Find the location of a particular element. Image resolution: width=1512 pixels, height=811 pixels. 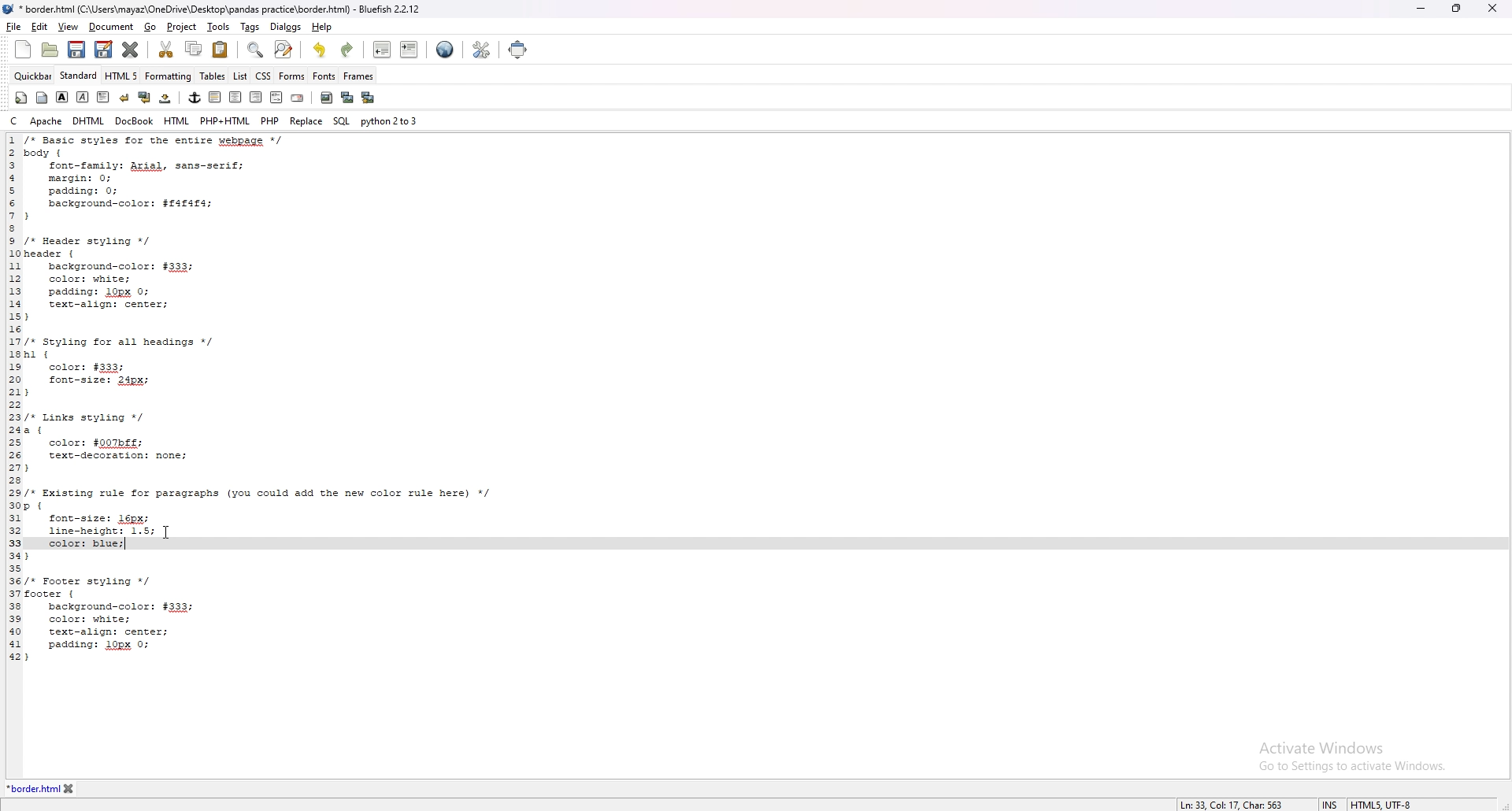

html is located at coordinates (176, 120).